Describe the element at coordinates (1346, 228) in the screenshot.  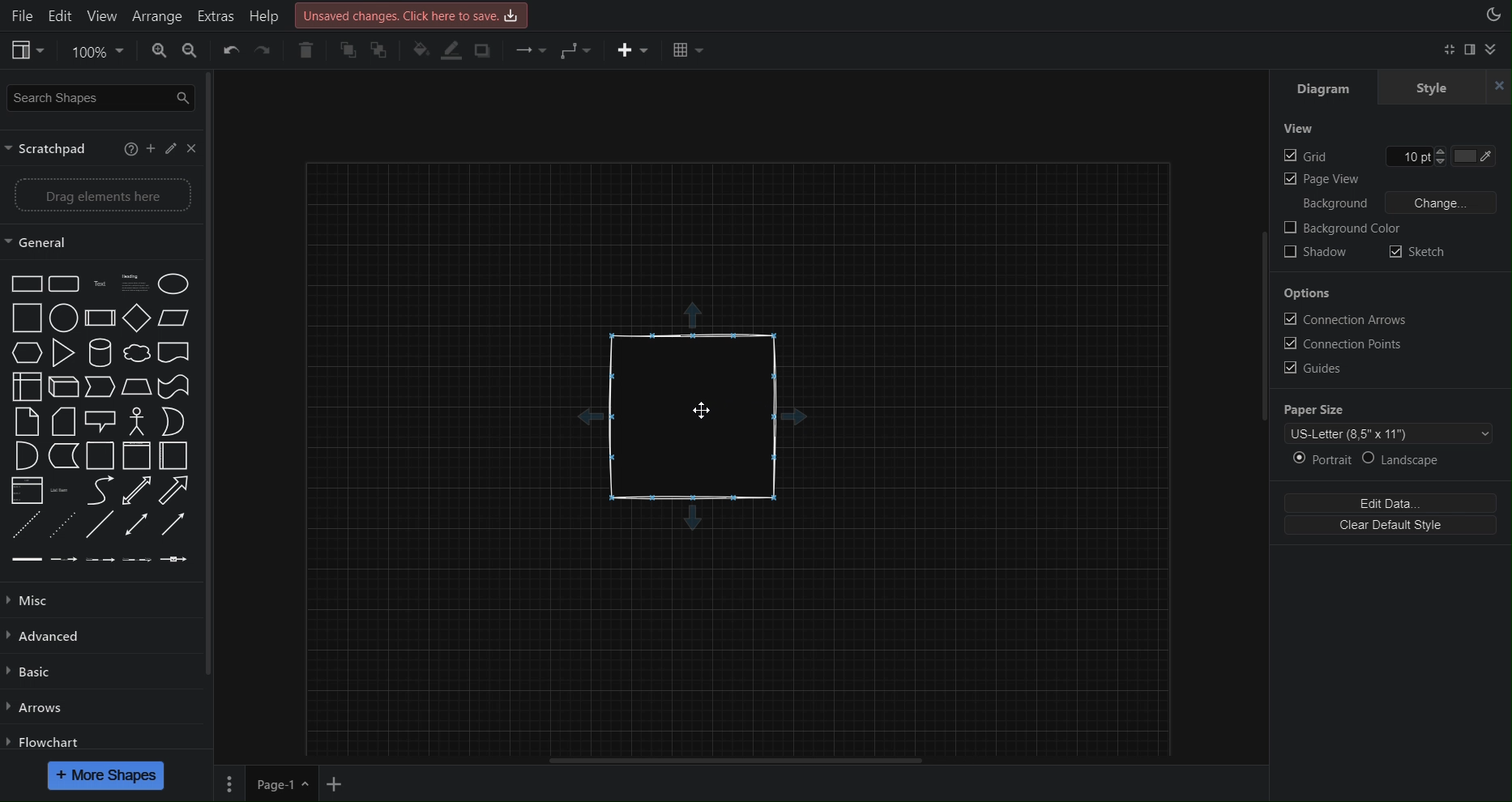
I see `Background Color` at that location.